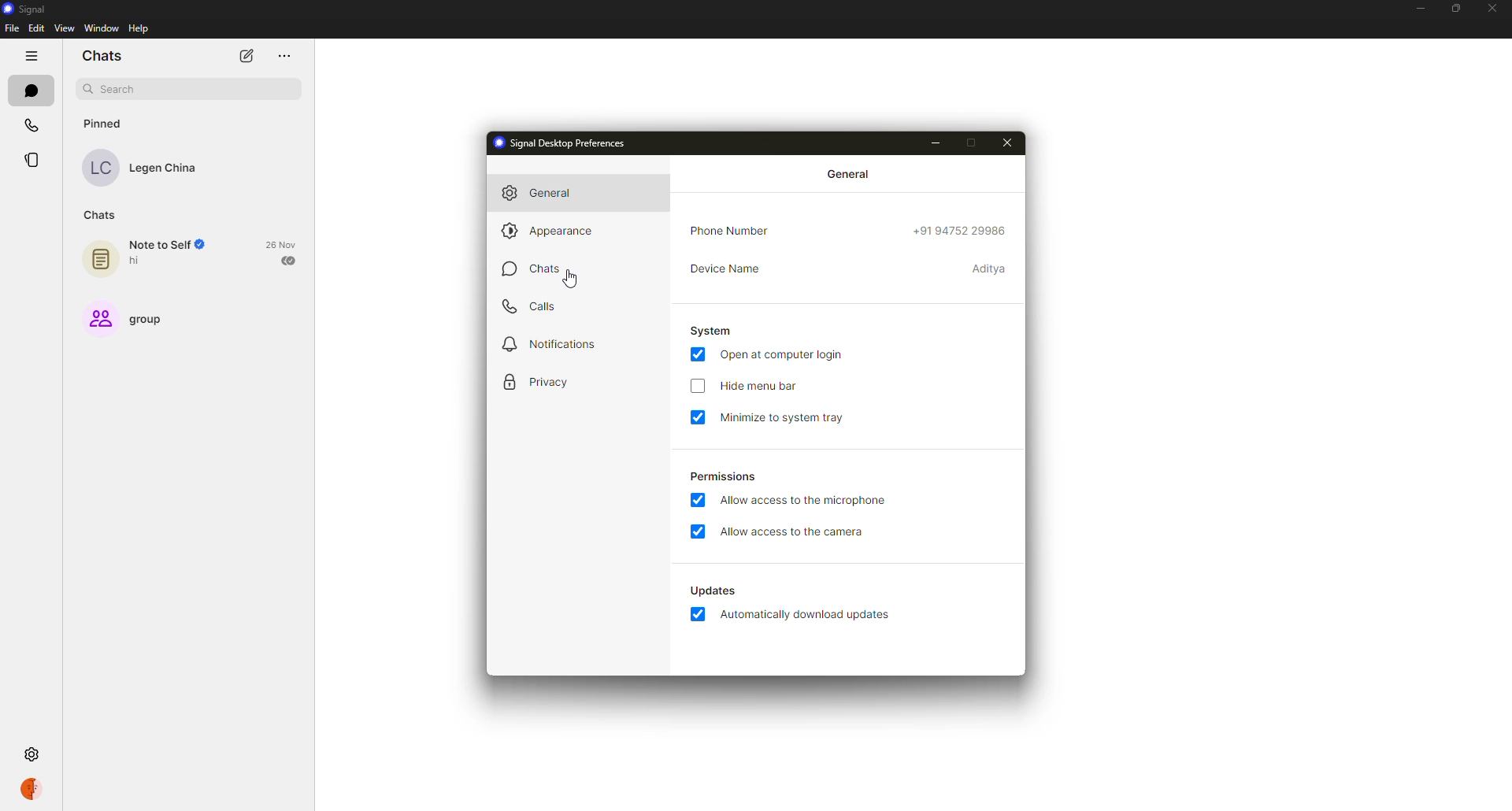 Image resolution: width=1512 pixels, height=811 pixels. I want to click on automatically download updates, so click(810, 615).